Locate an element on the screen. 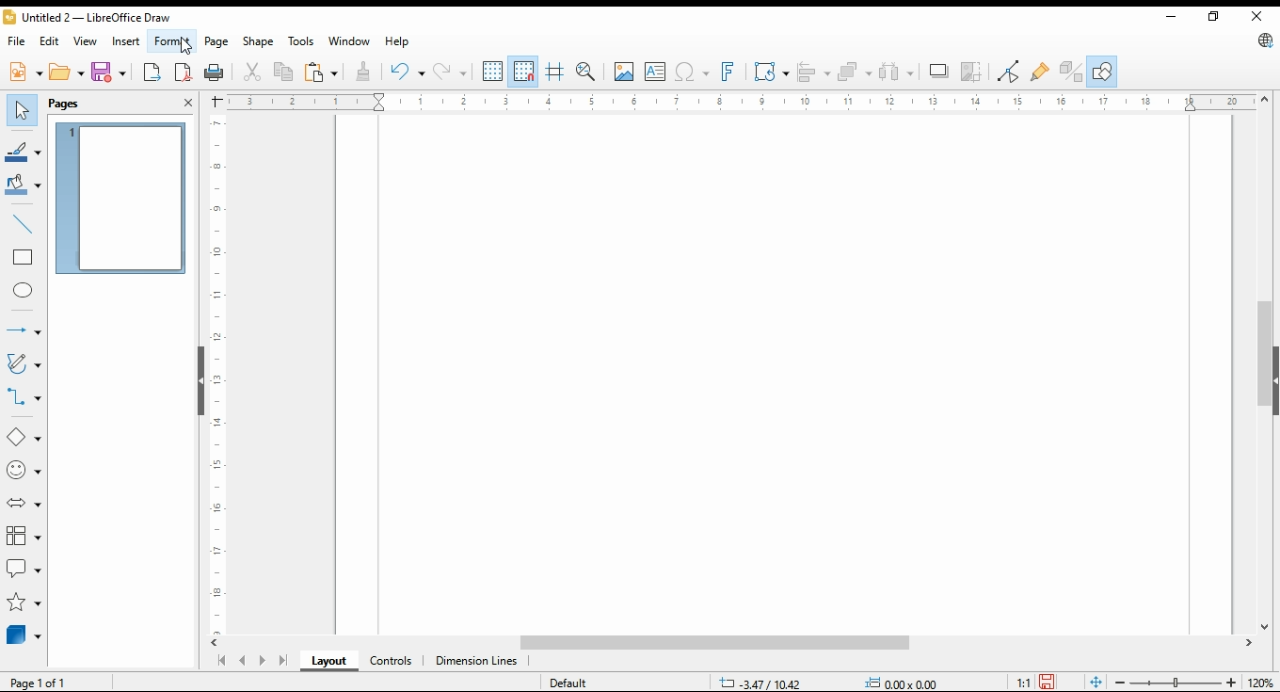  clone formatting is located at coordinates (367, 72).